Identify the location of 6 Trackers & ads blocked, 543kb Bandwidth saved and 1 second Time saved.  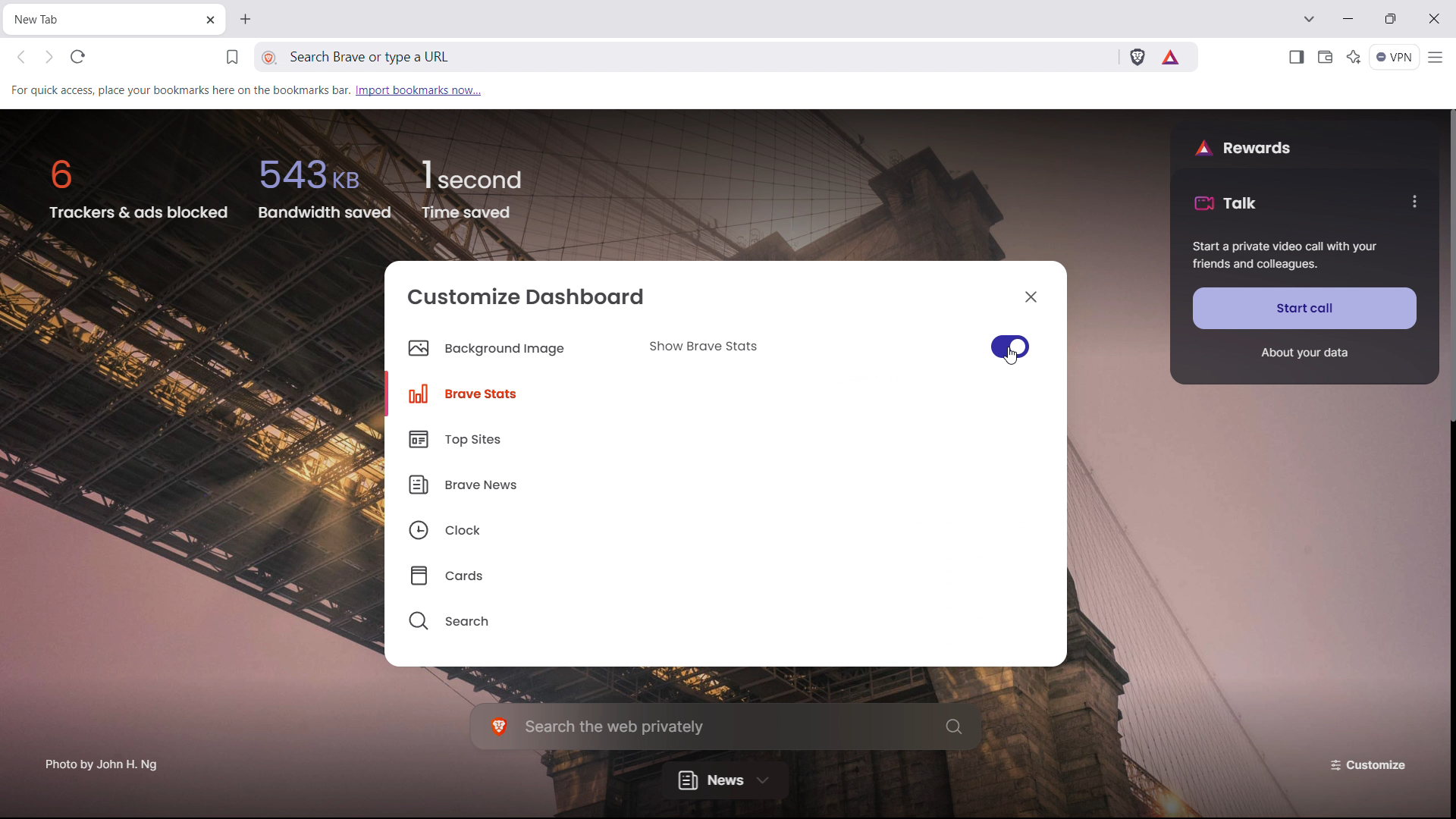
(279, 190).